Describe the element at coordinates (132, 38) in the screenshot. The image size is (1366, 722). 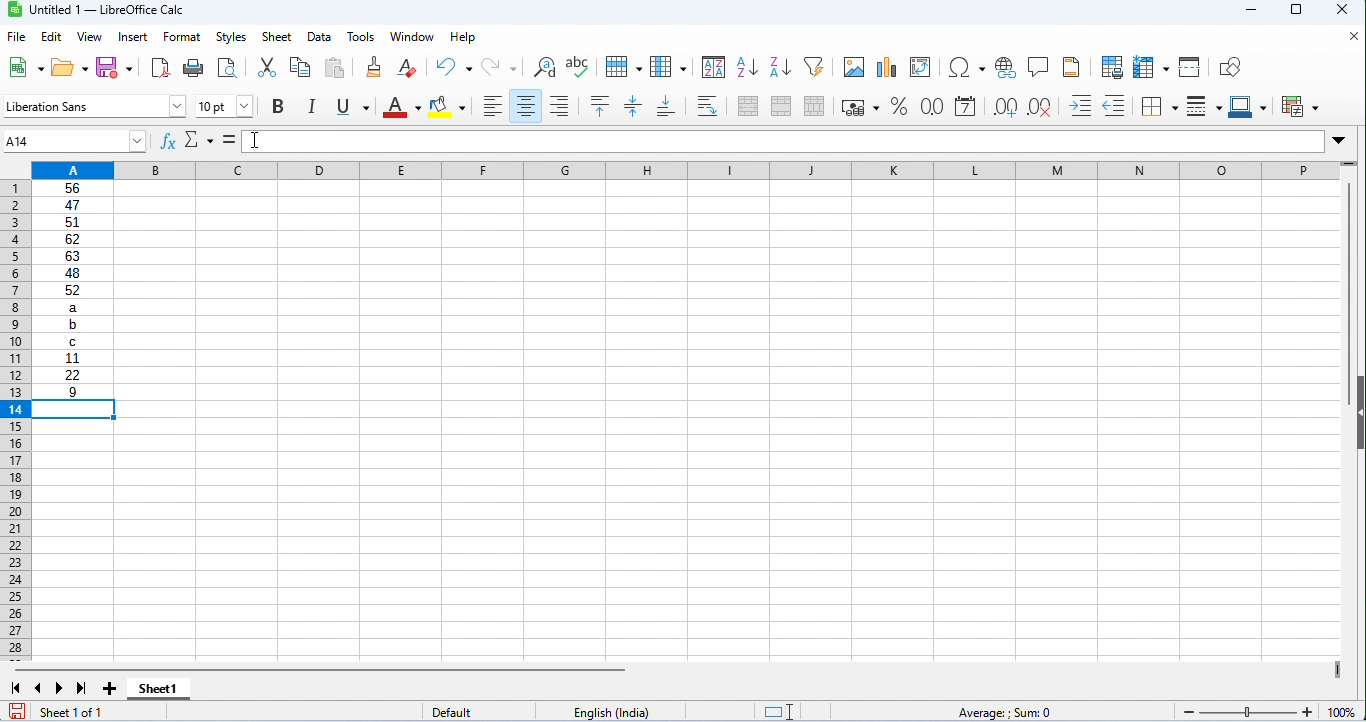
I see `insert` at that location.